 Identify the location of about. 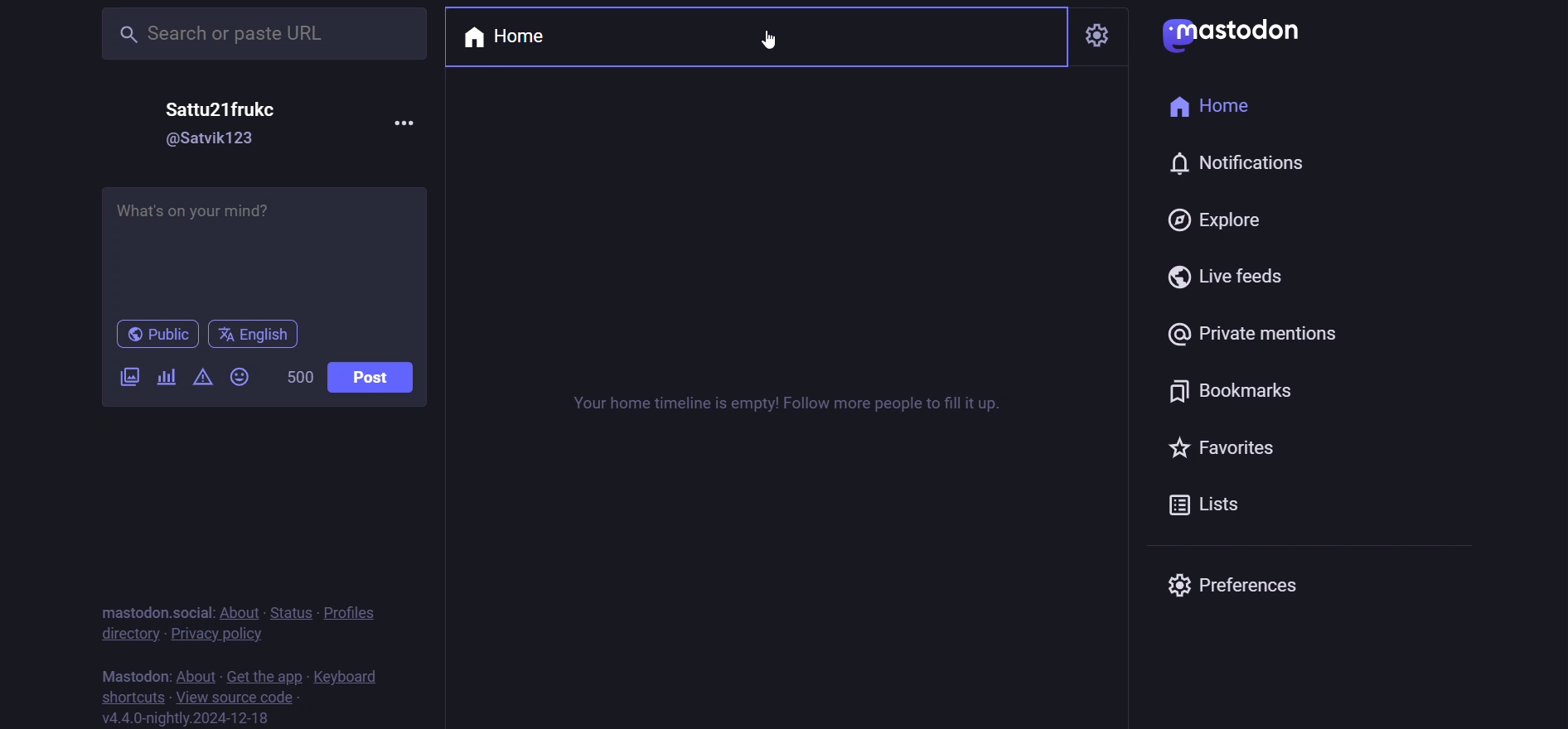
(195, 673).